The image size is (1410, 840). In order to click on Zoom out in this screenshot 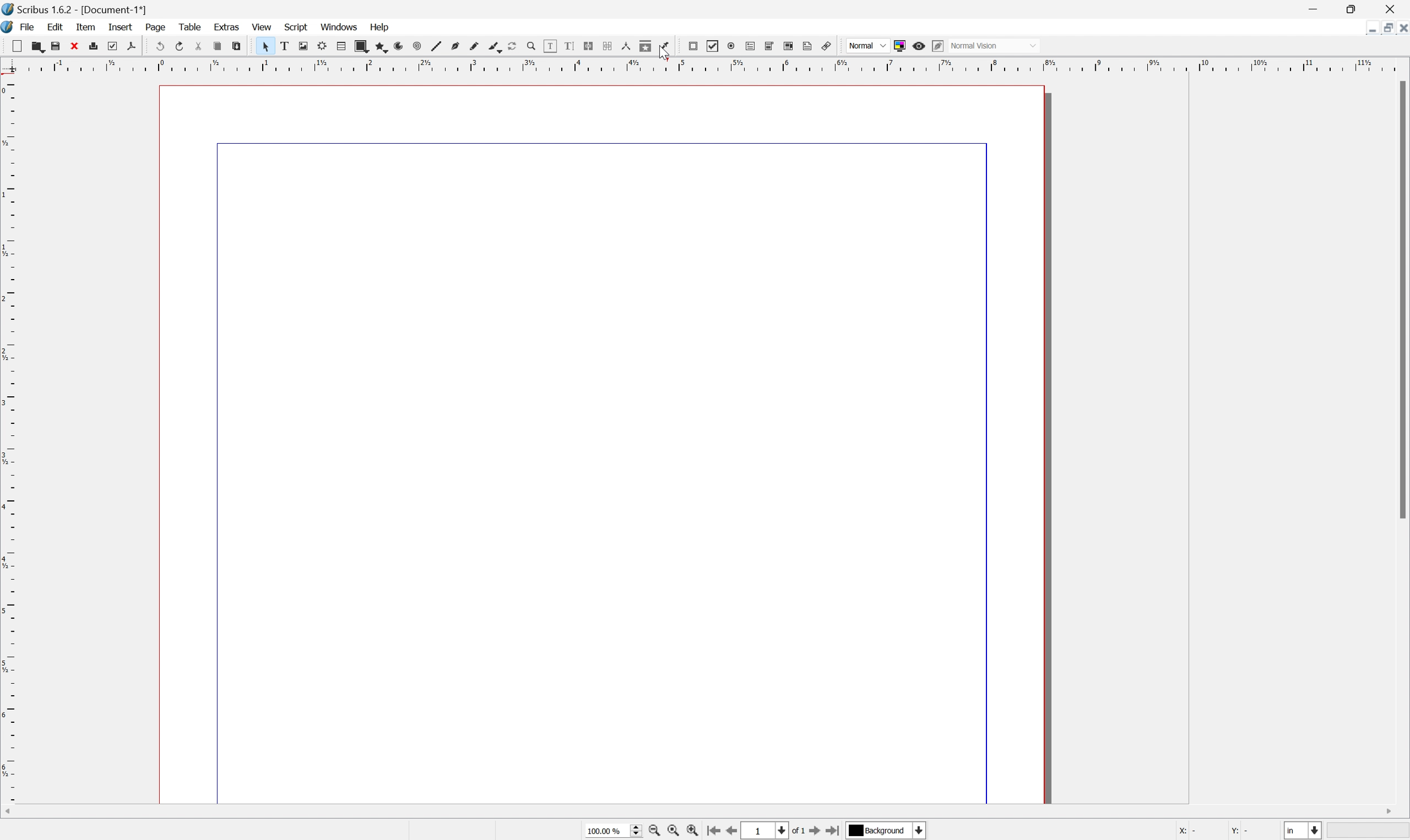, I will do `click(651, 832)`.